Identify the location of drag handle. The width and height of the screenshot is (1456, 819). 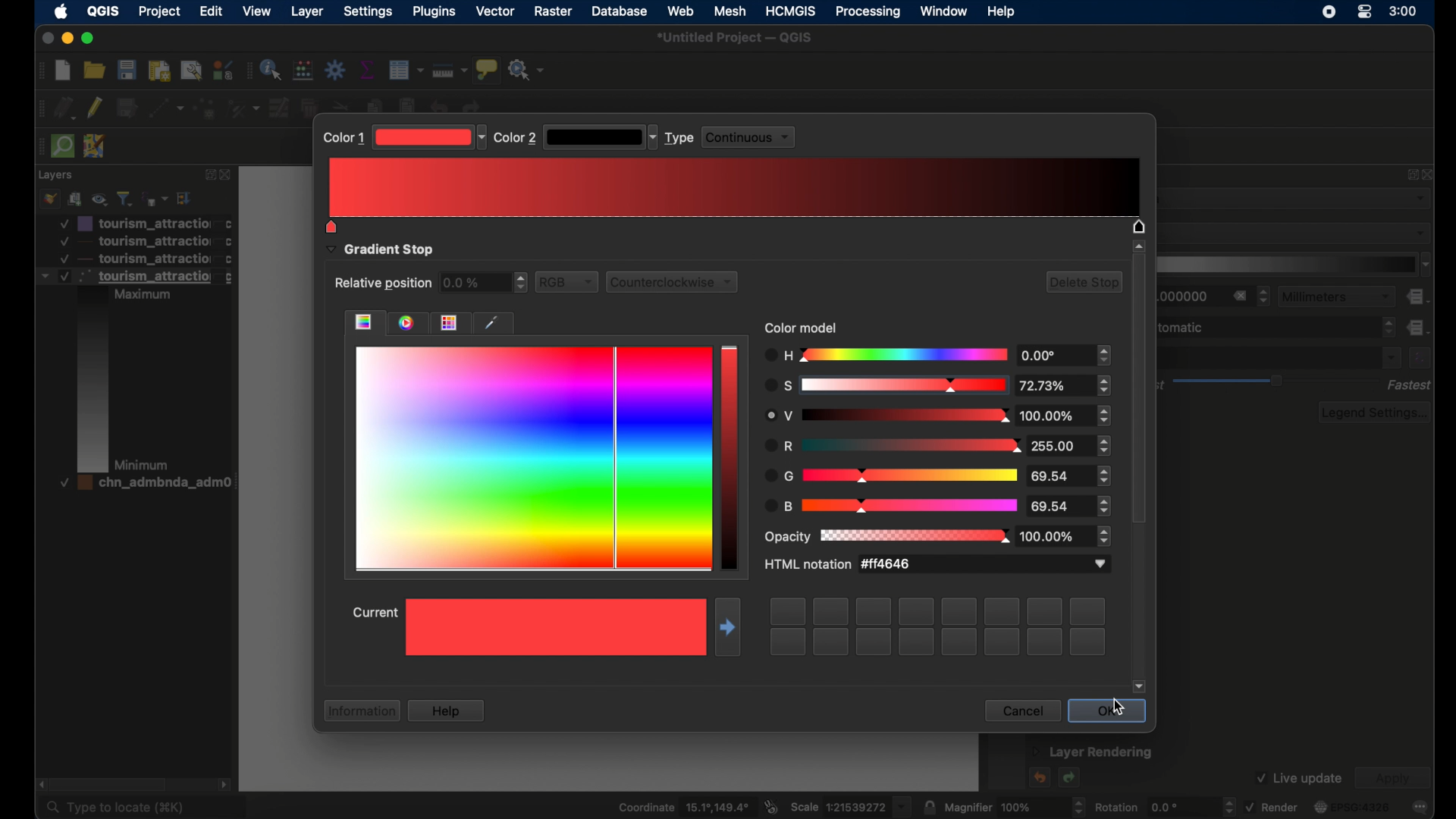
(39, 109).